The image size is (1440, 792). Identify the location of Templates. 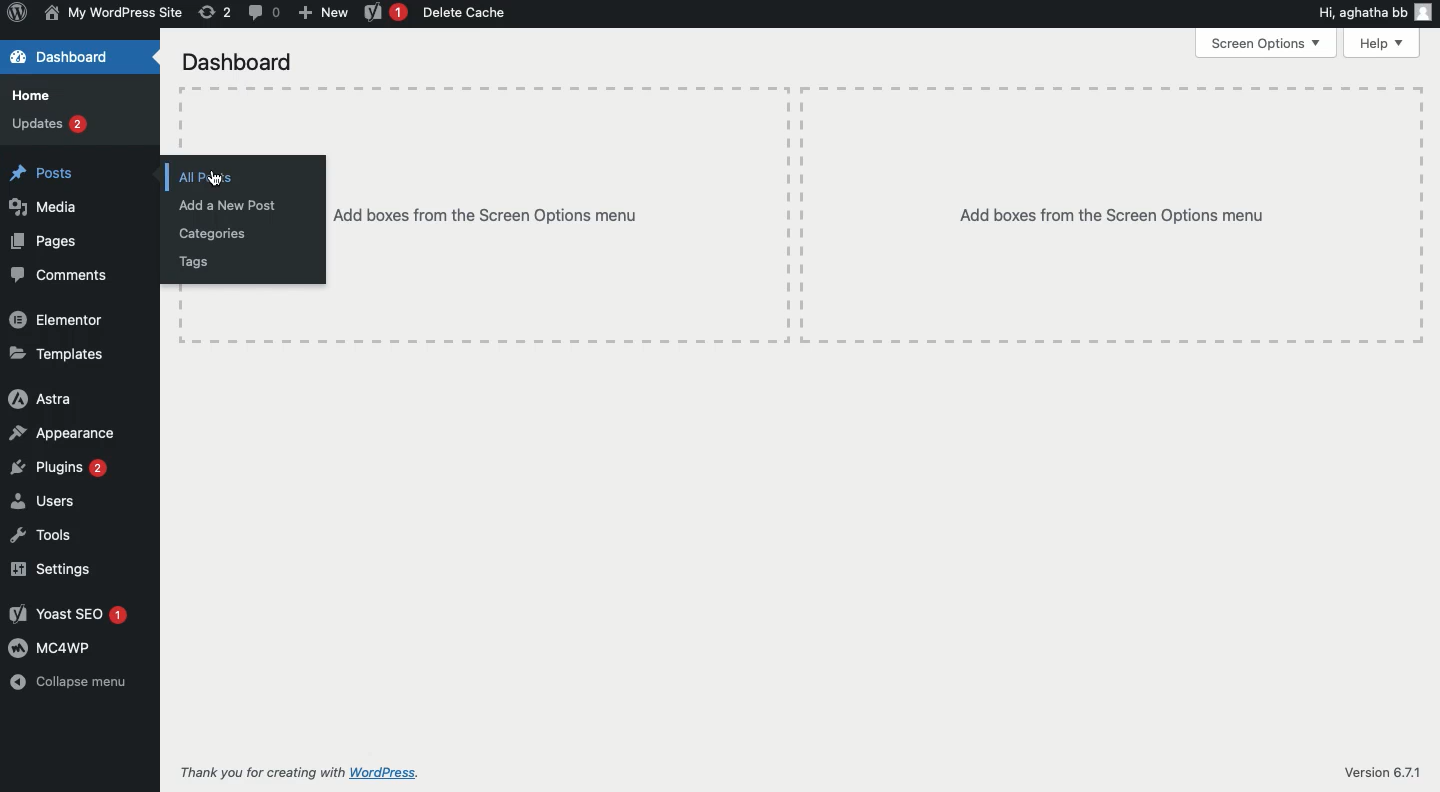
(62, 356).